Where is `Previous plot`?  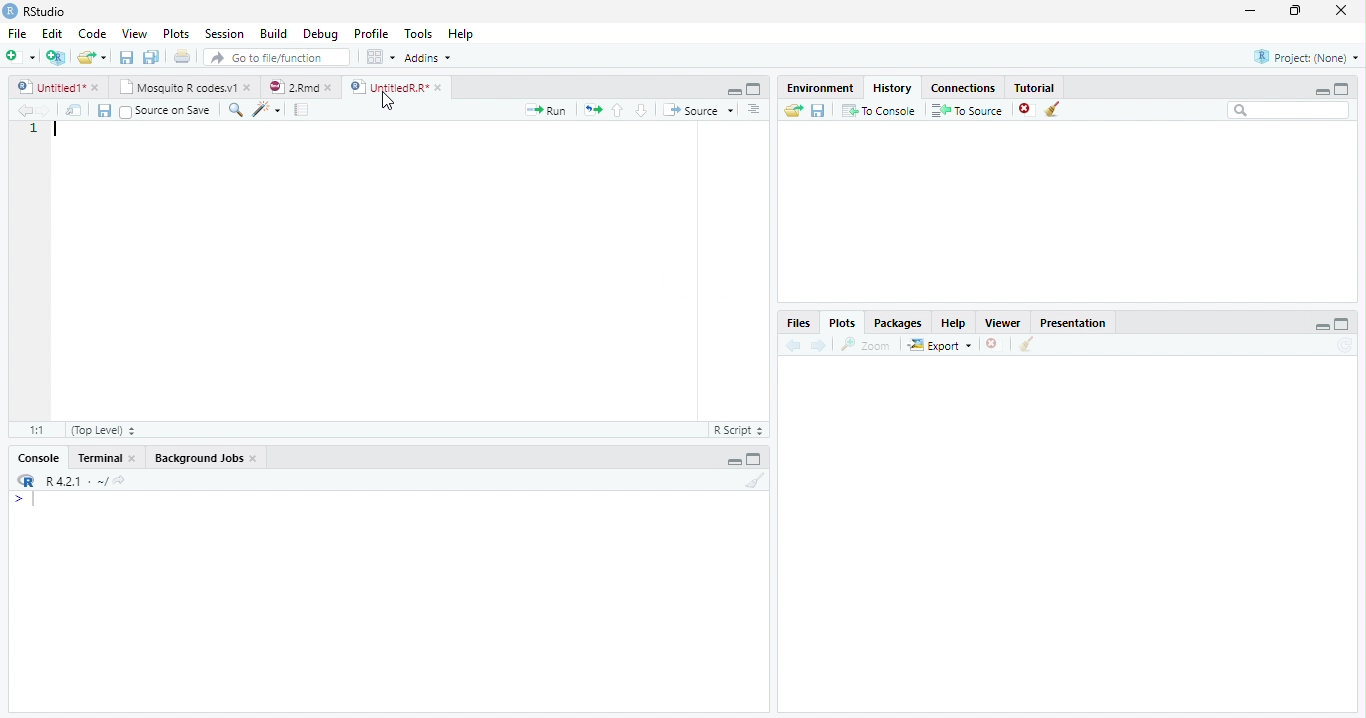 Previous plot is located at coordinates (794, 345).